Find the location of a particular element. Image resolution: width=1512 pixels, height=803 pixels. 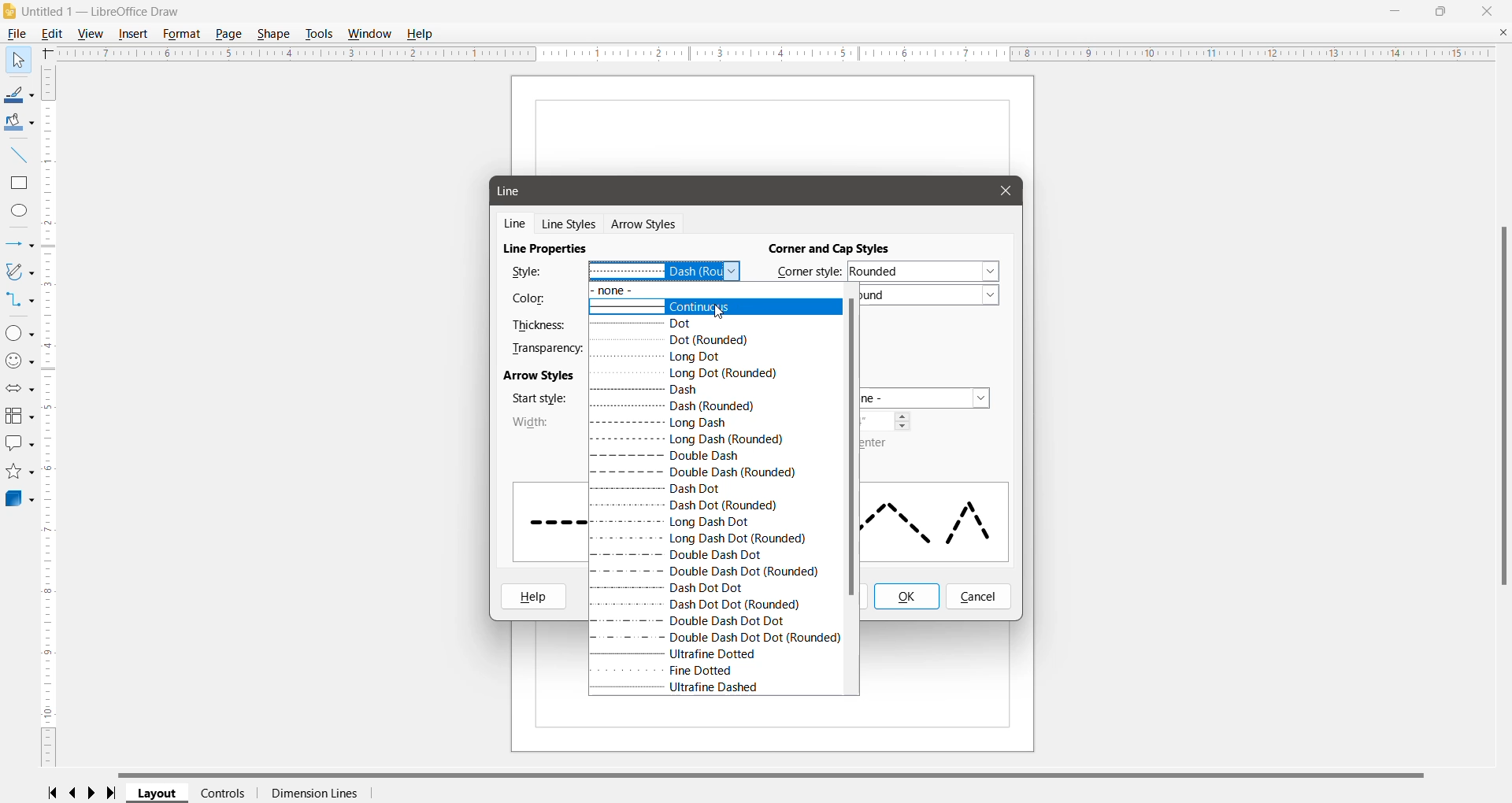

Vertical Scroll Bar is located at coordinates (851, 487).